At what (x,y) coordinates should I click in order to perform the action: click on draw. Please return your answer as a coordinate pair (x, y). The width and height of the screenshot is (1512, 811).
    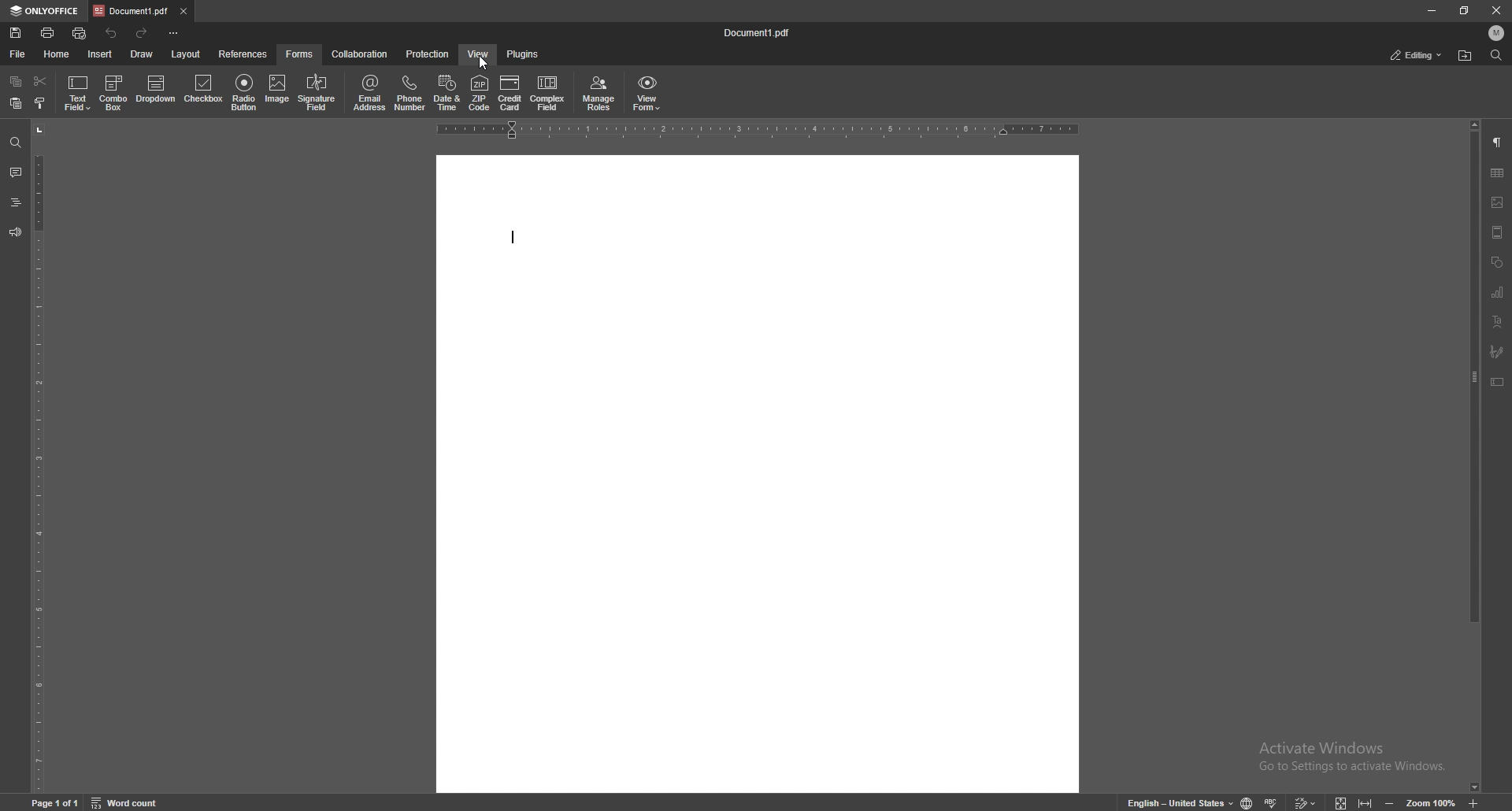
    Looking at the image, I should click on (143, 53).